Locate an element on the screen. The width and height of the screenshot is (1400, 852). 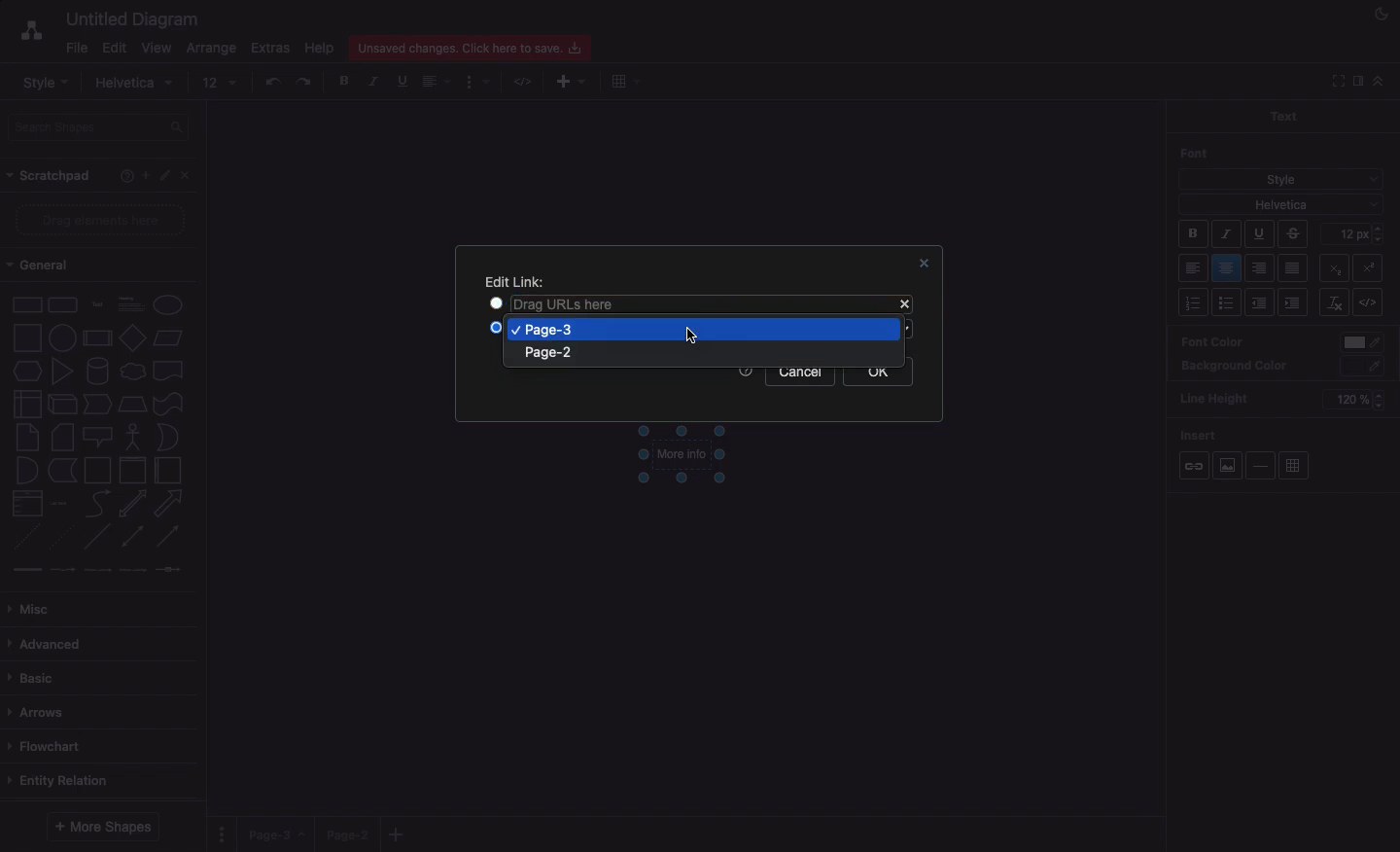
directional connector is located at coordinates (168, 537).